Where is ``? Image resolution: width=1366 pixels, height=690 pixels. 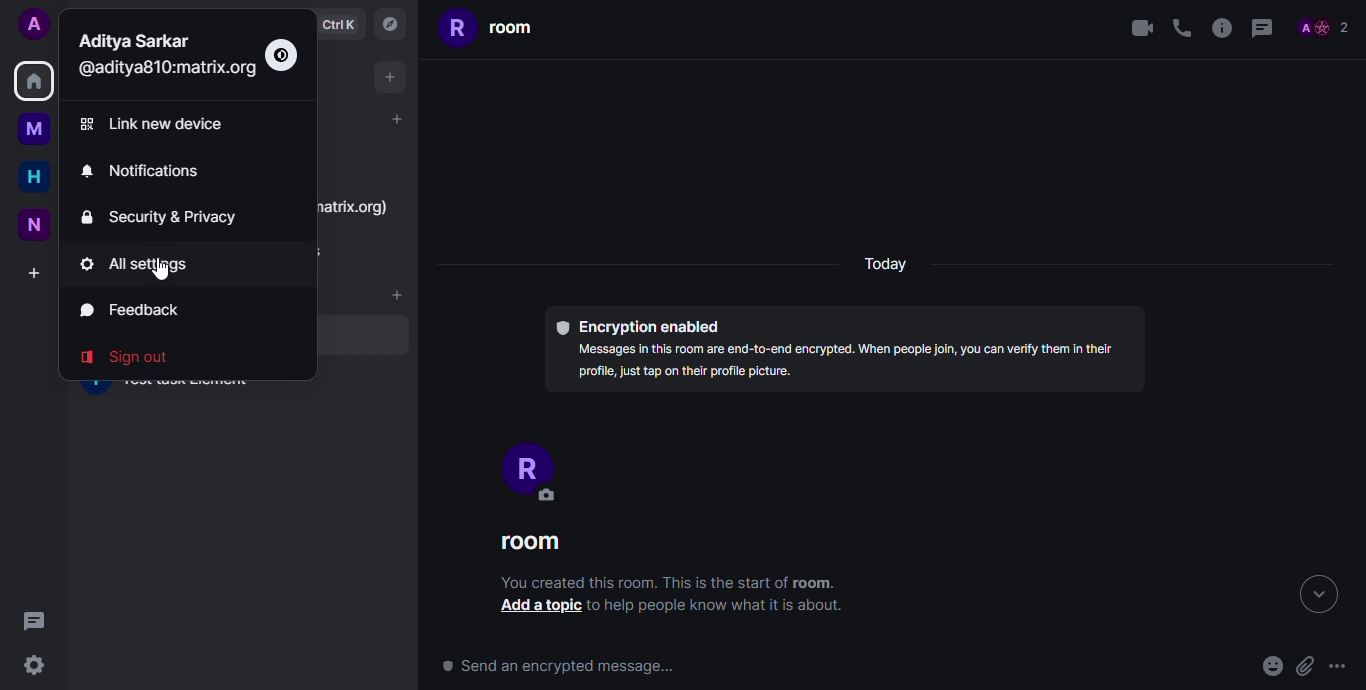
 is located at coordinates (158, 272).